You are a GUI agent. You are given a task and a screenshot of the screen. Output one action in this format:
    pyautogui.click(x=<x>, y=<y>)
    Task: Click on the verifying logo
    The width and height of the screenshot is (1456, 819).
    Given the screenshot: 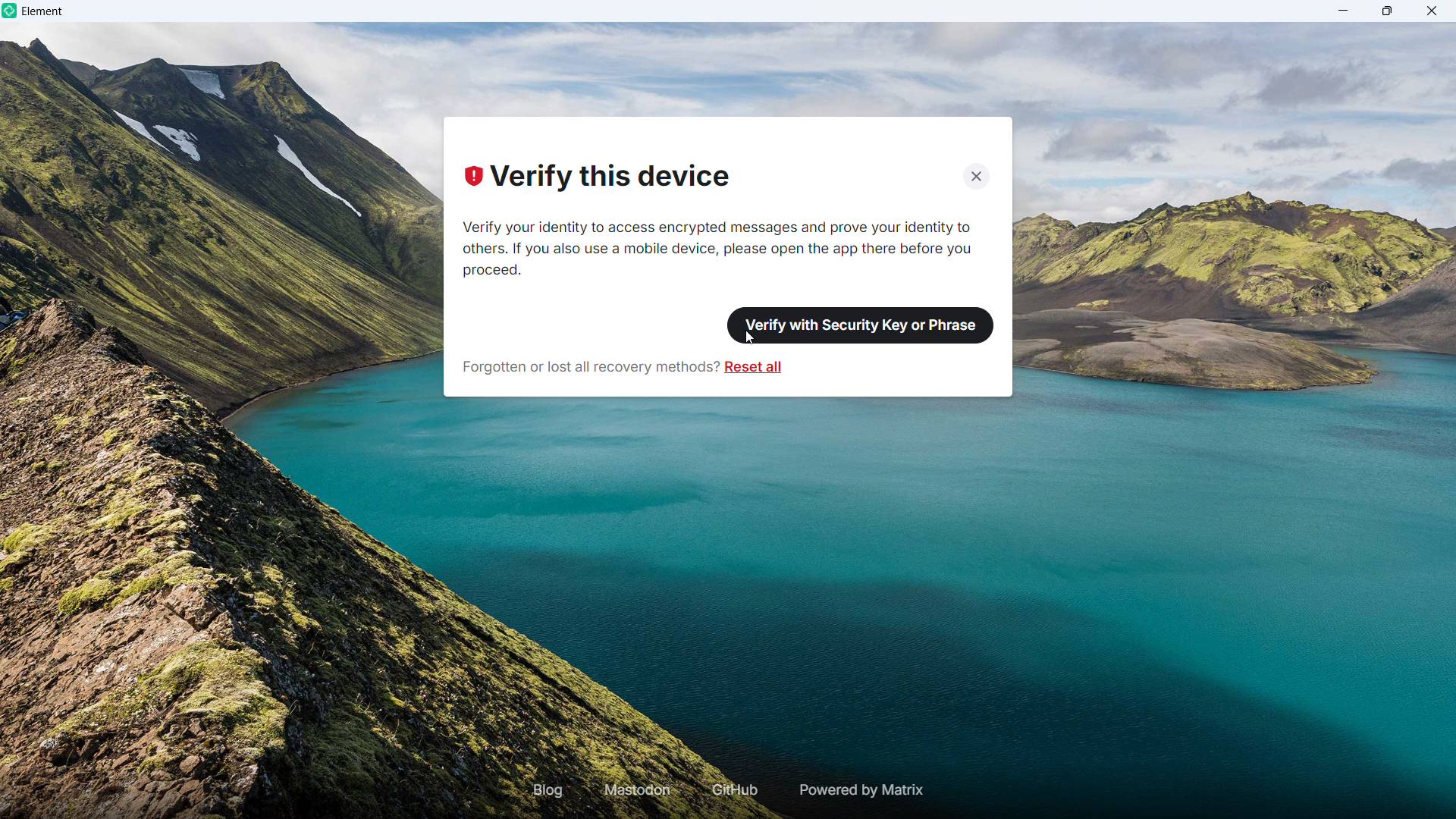 What is the action you would take?
    pyautogui.click(x=472, y=177)
    